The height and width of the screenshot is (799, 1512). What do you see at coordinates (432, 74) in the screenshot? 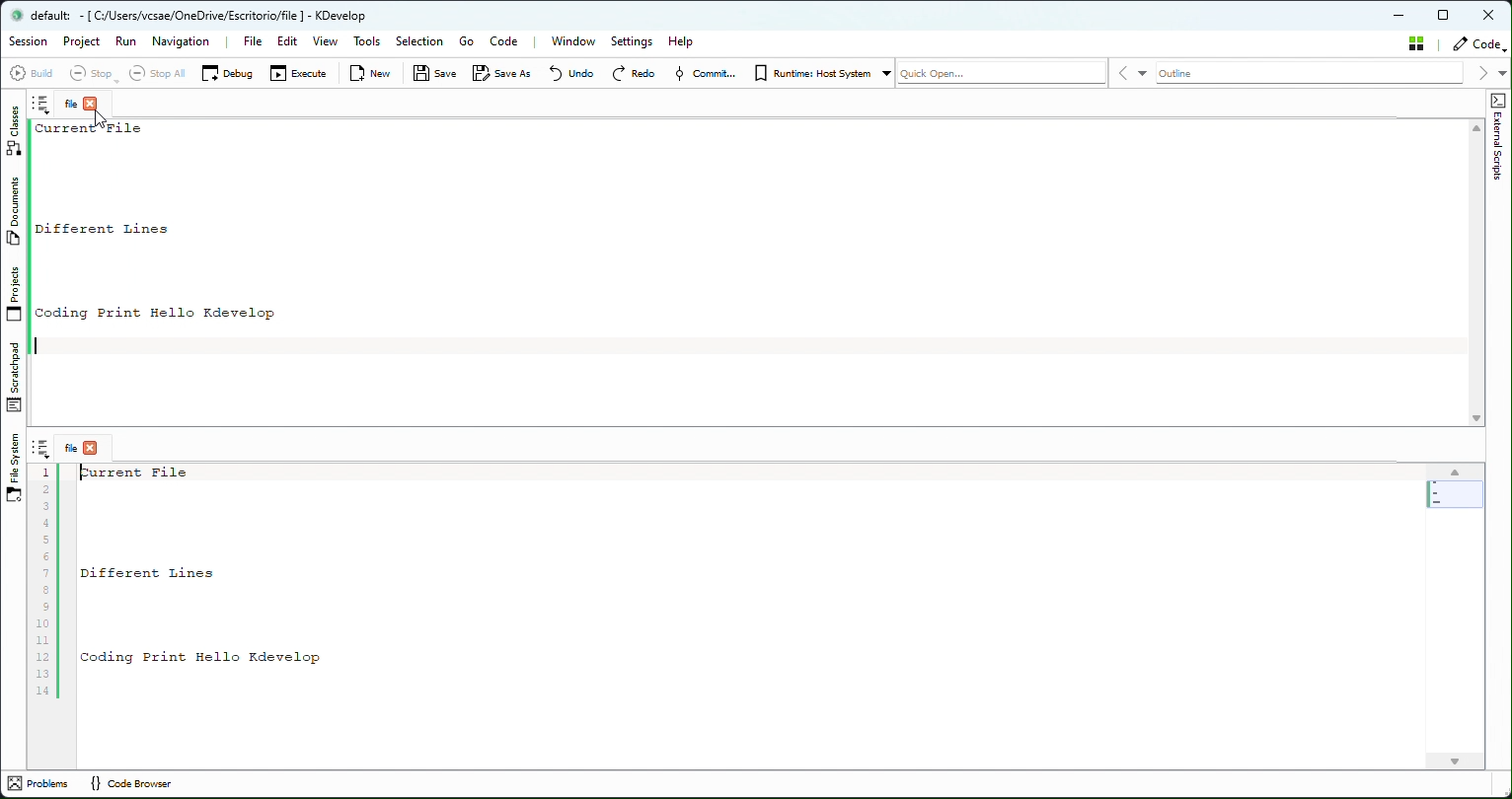
I see `Save` at bounding box center [432, 74].